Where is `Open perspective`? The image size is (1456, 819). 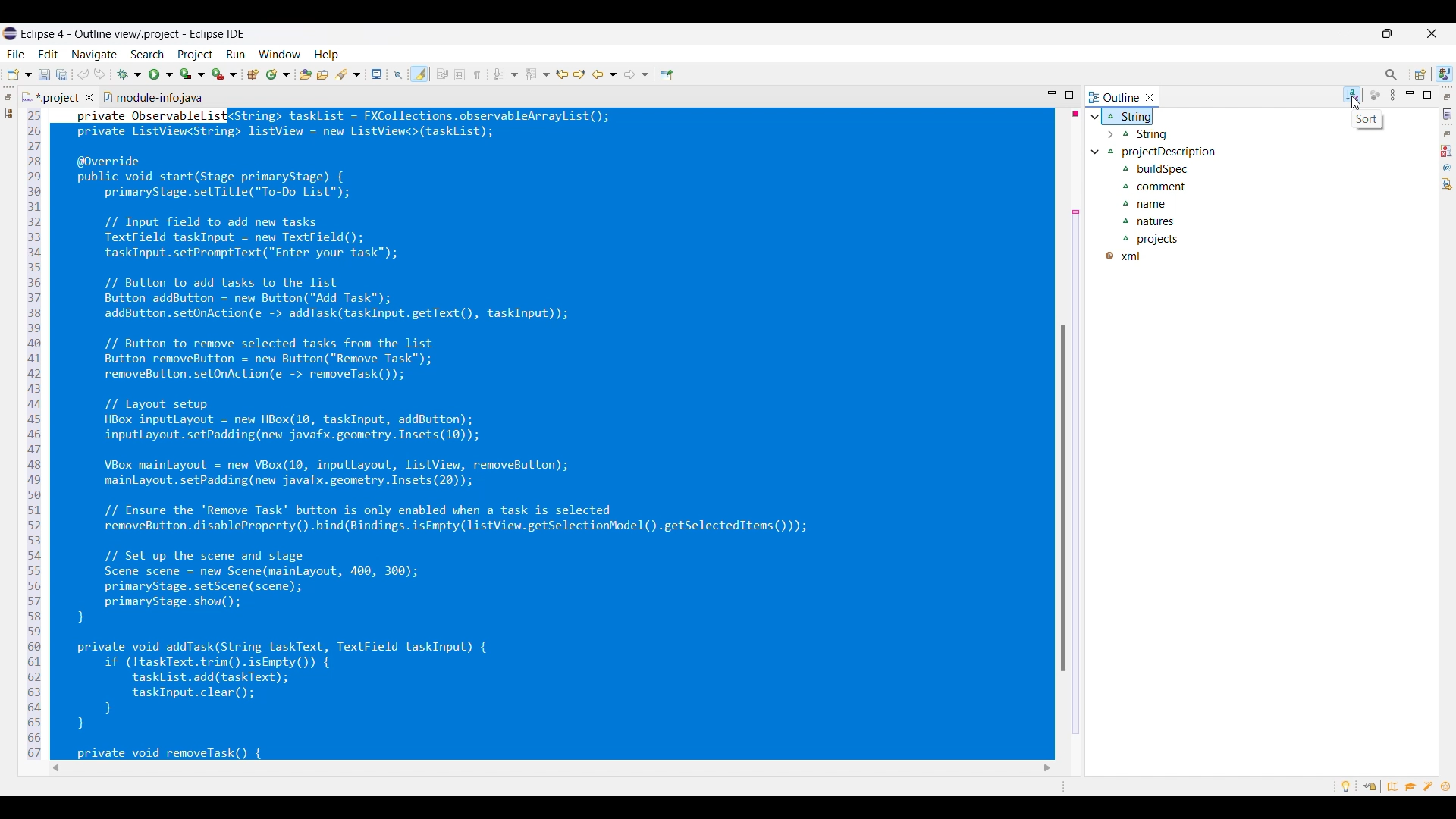 Open perspective is located at coordinates (1420, 74).